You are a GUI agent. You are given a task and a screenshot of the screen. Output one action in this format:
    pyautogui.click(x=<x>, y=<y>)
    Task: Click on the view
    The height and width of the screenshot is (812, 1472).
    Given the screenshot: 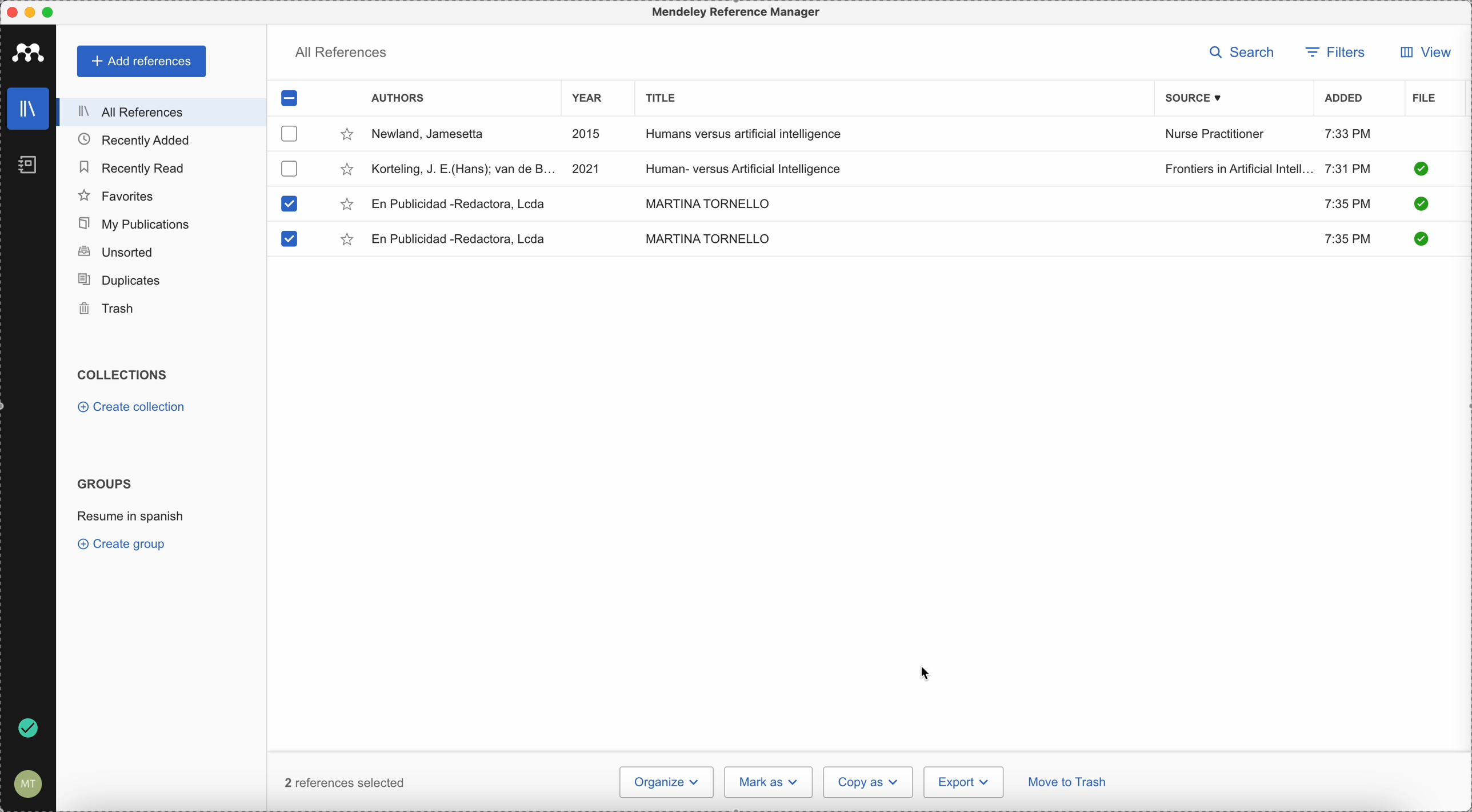 What is the action you would take?
    pyautogui.click(x=1422, y=52)
    